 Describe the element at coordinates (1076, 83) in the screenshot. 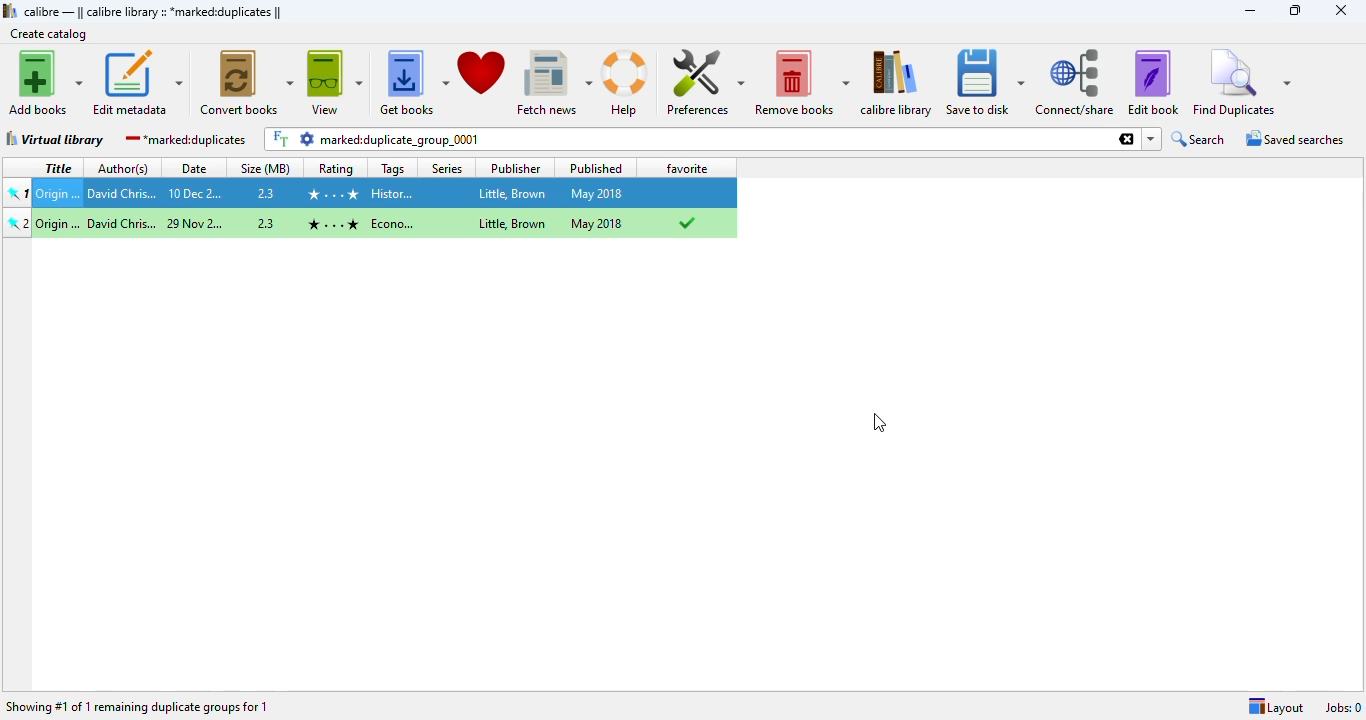

I see `connect/share` at that location.